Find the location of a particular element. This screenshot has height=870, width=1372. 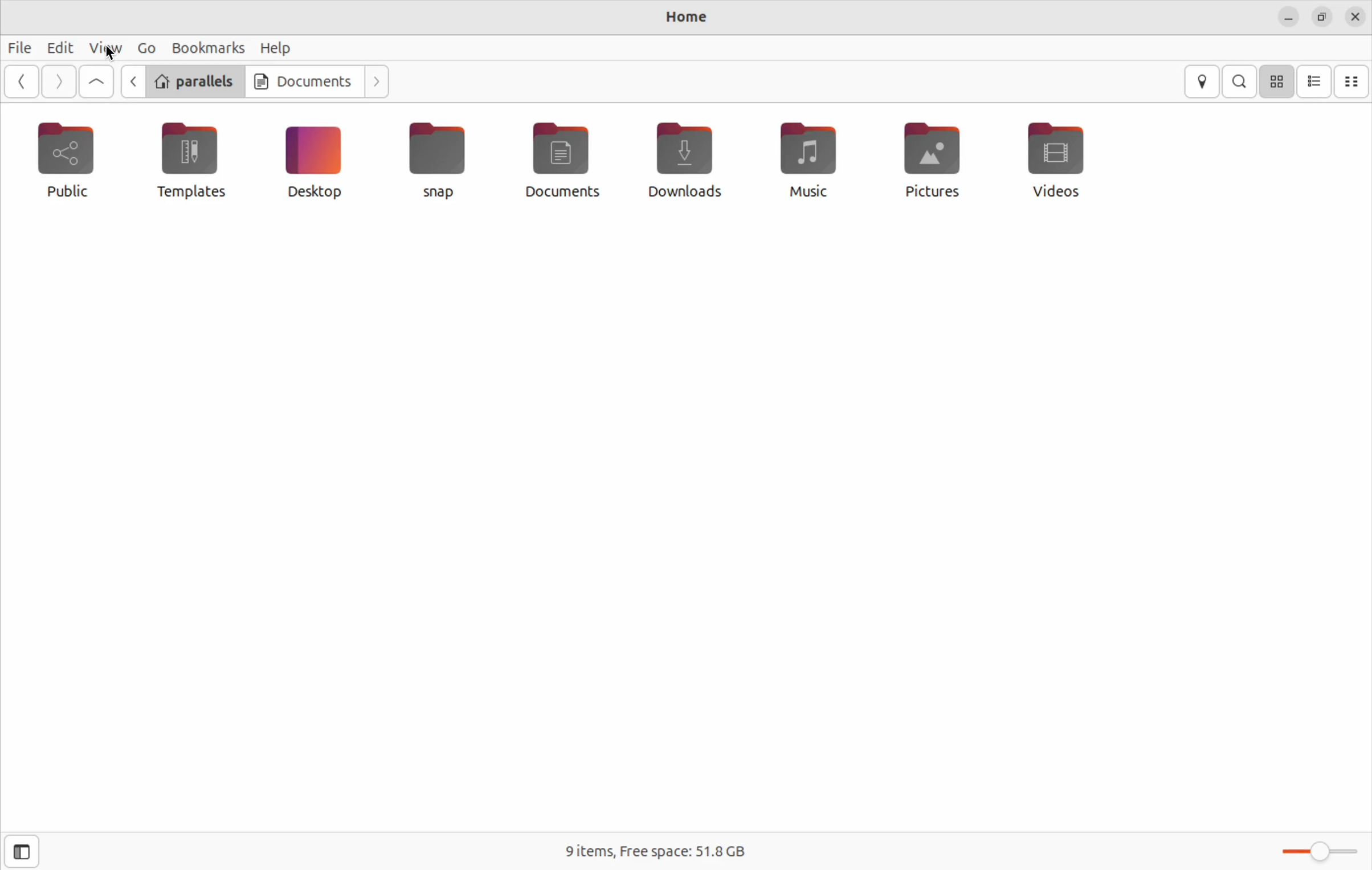

documents is located at coordinates (565, 163).